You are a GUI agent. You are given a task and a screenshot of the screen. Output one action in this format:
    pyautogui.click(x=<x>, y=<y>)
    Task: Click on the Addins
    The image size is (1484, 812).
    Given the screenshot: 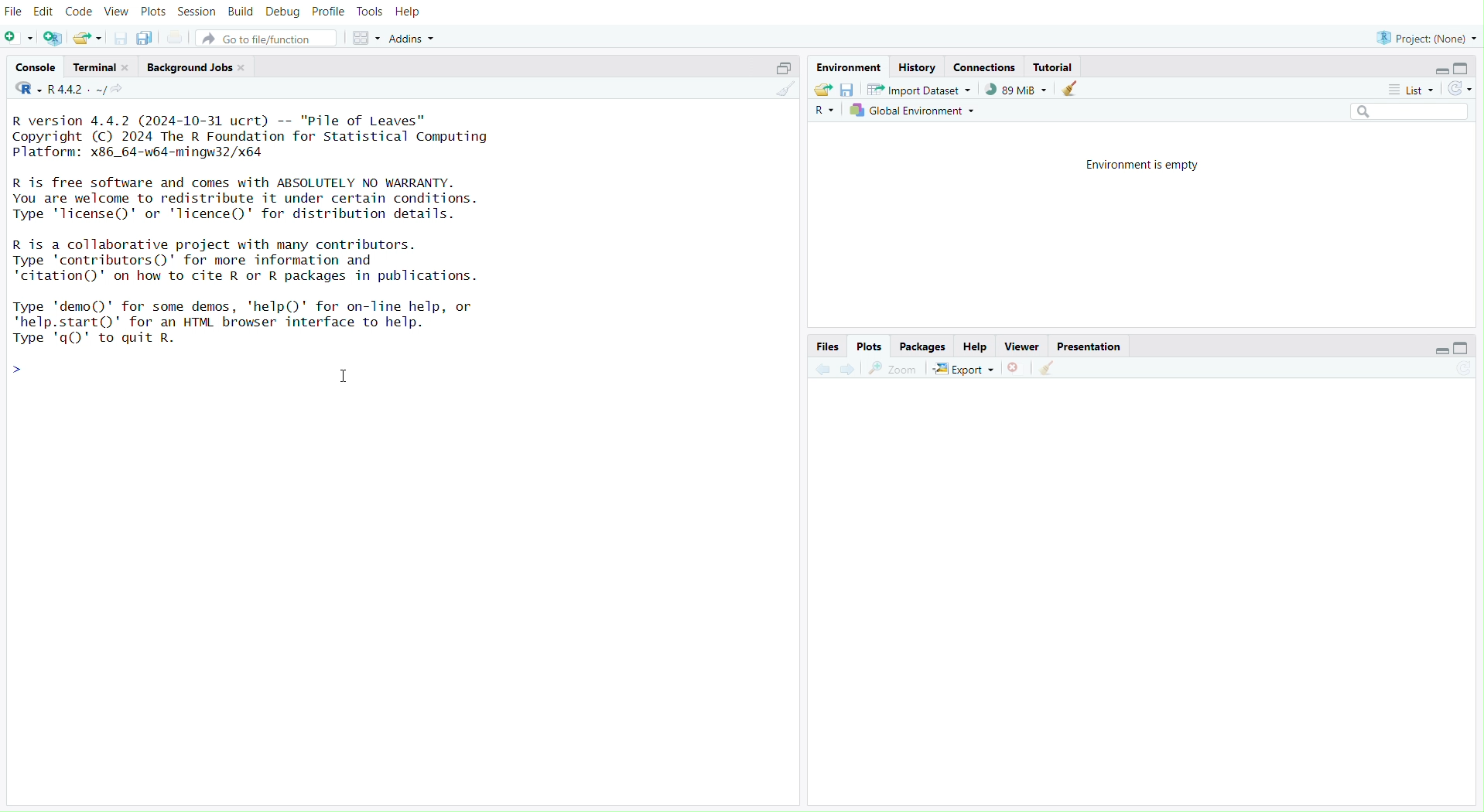 What is the action you would take?
    pyautogui.click(x=412, y=36)
    